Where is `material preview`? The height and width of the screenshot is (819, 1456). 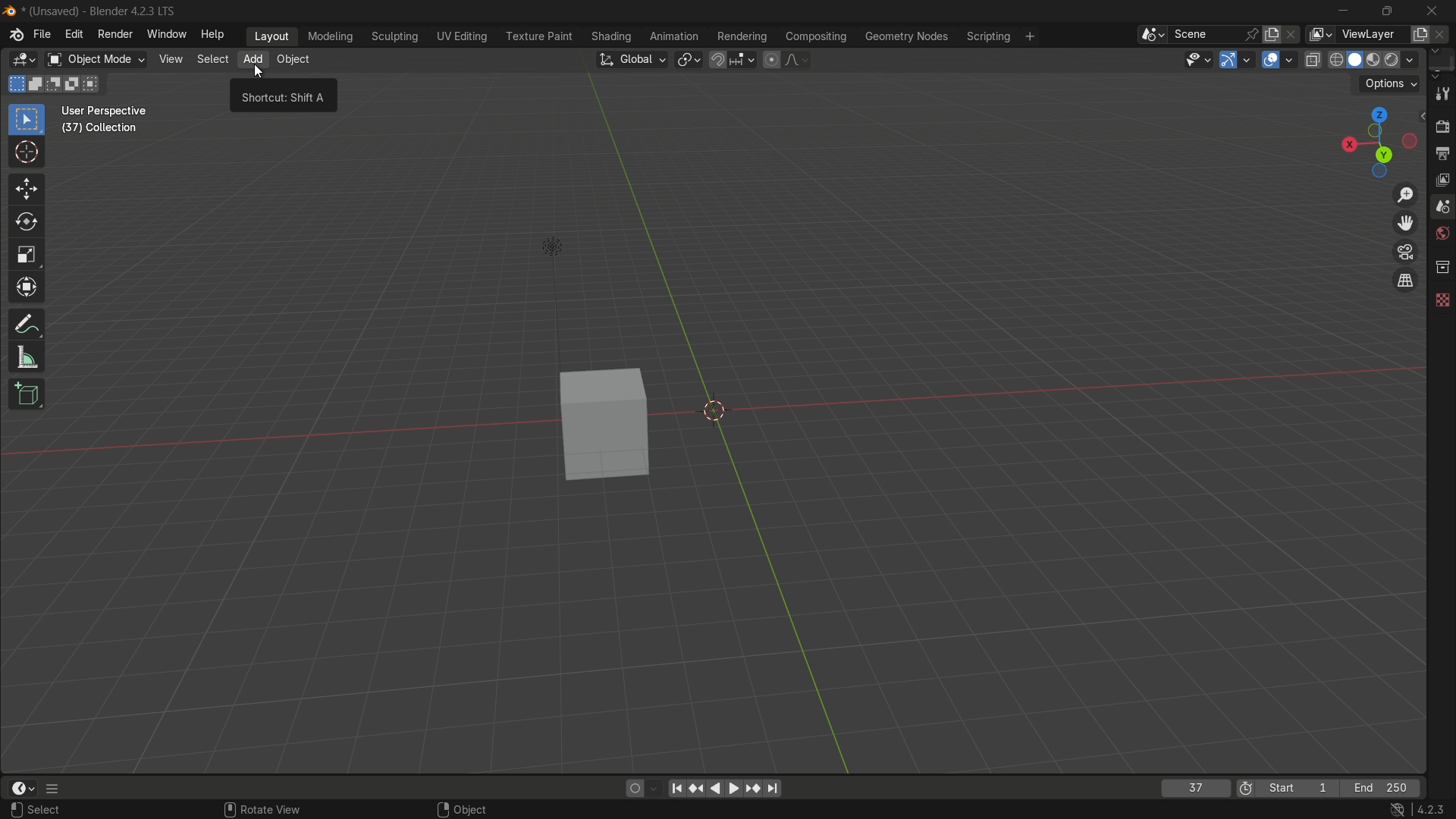
material preview is located at coordinates (1378, 60).